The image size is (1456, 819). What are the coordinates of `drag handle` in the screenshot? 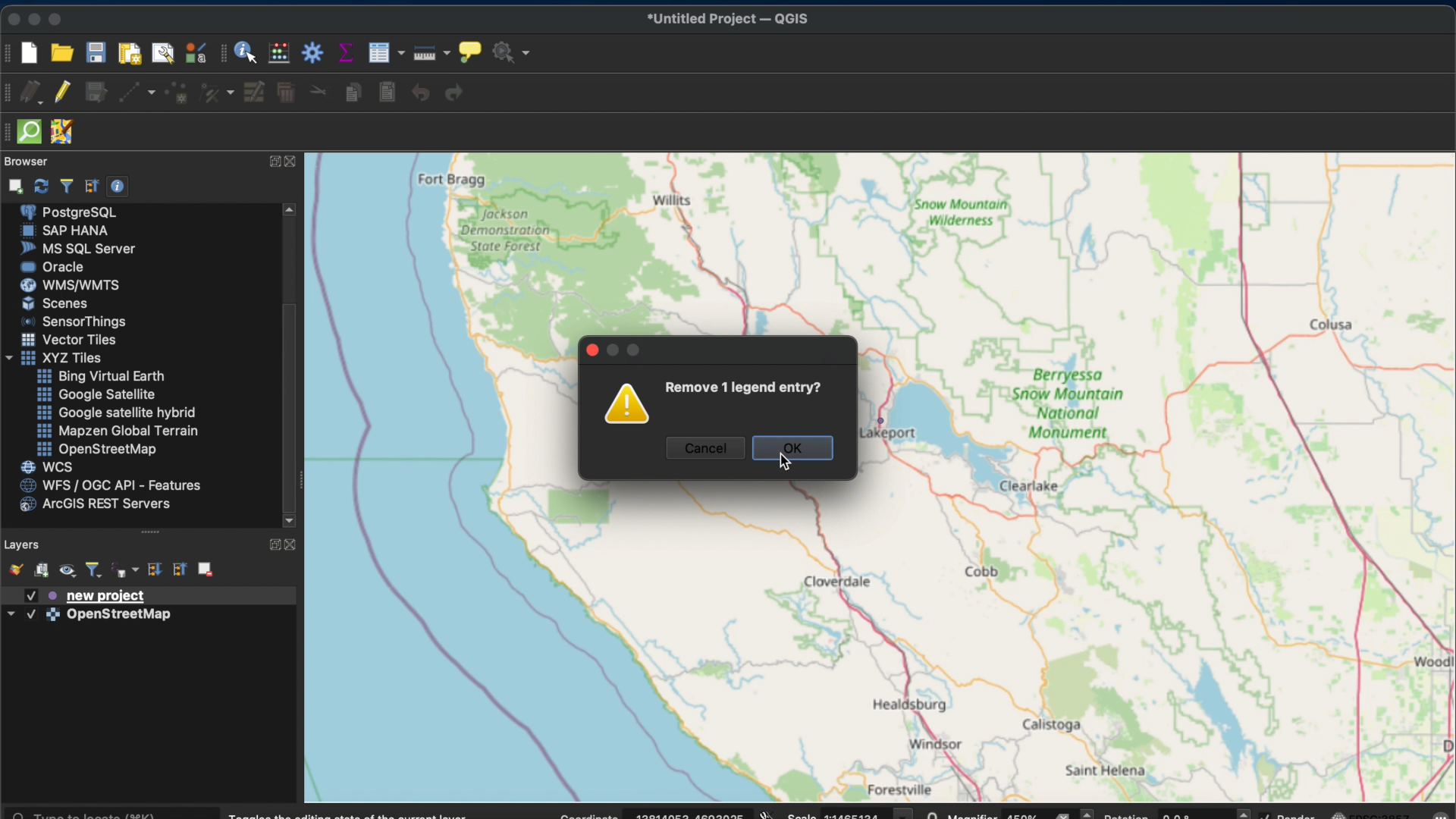 It's located at (9, 133).